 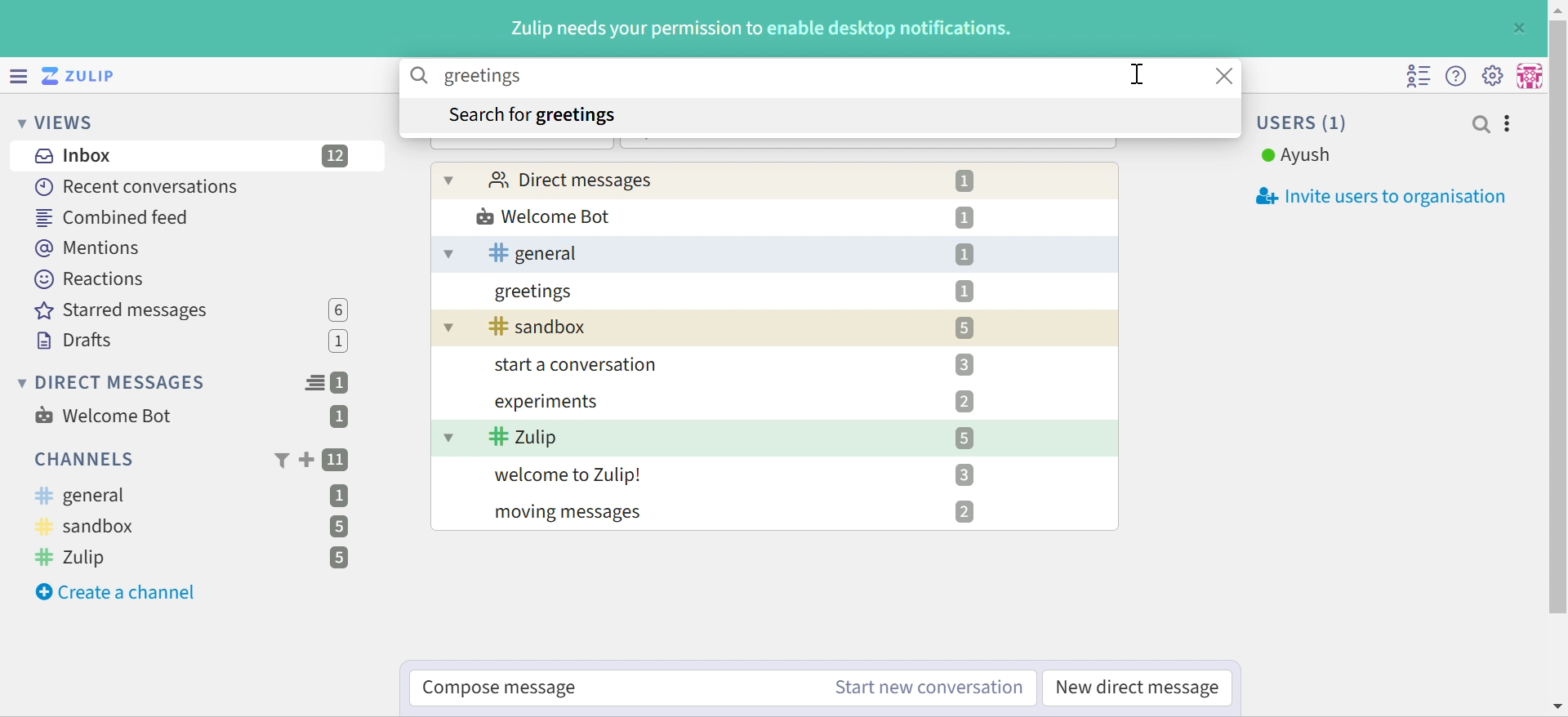 What do you see at coordinates (1227, 76) in the screenshot?
I see `Close` at bounding box center [1227, 76].